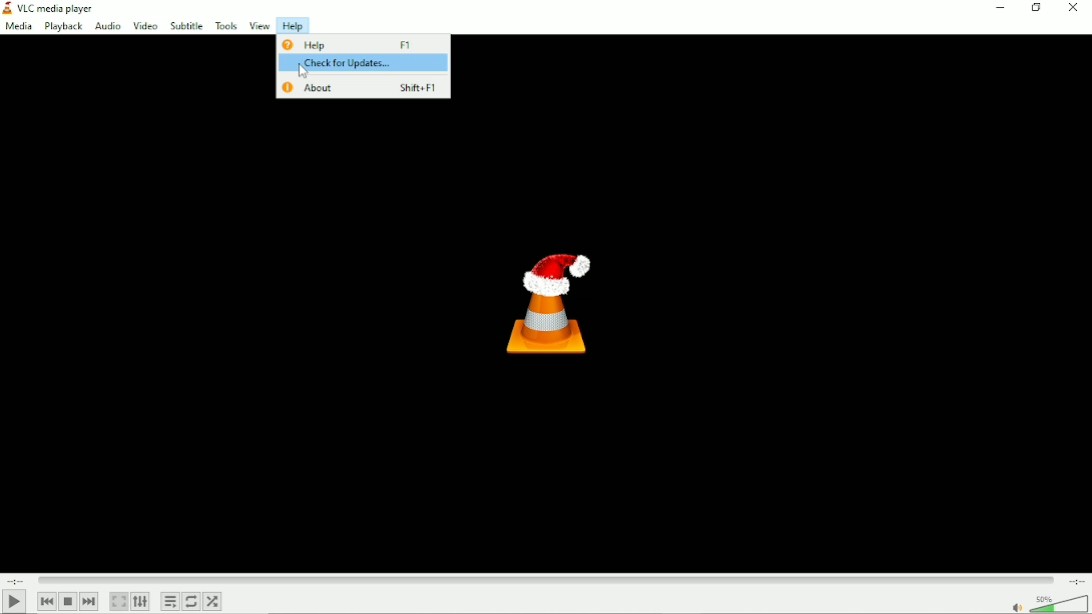  I want to click on Check for updates, so click(364, 63).